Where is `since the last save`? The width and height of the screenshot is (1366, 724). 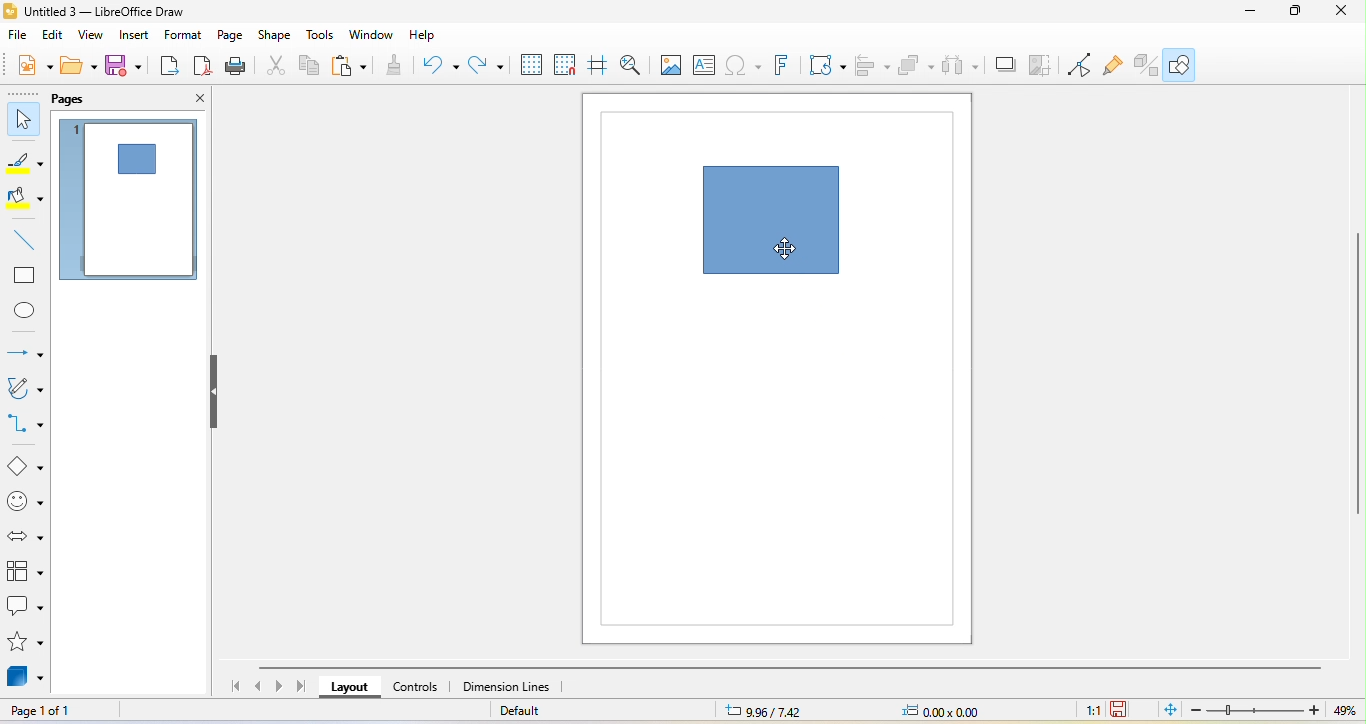
since the last save is located at coordinates (1124, 711).